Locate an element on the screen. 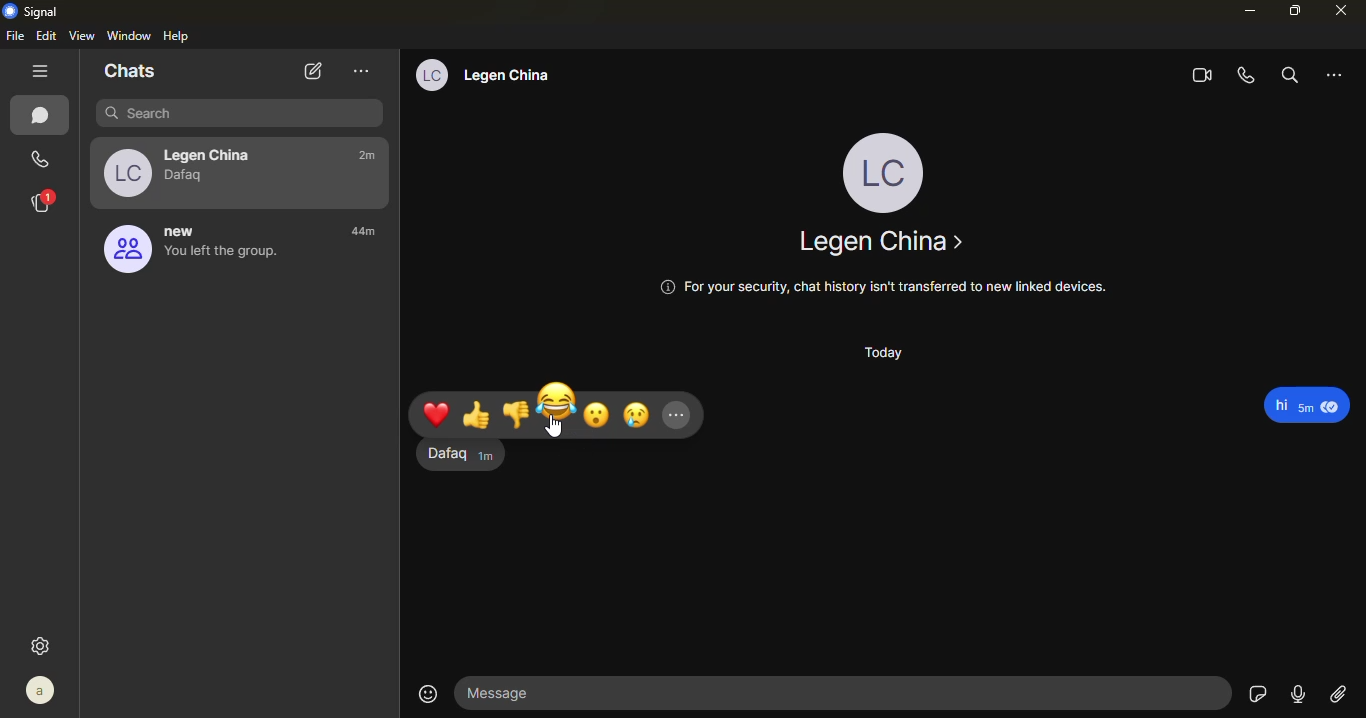 The height and width of the screenshot is (718, 1366). time is located at coordinates (373, 234).